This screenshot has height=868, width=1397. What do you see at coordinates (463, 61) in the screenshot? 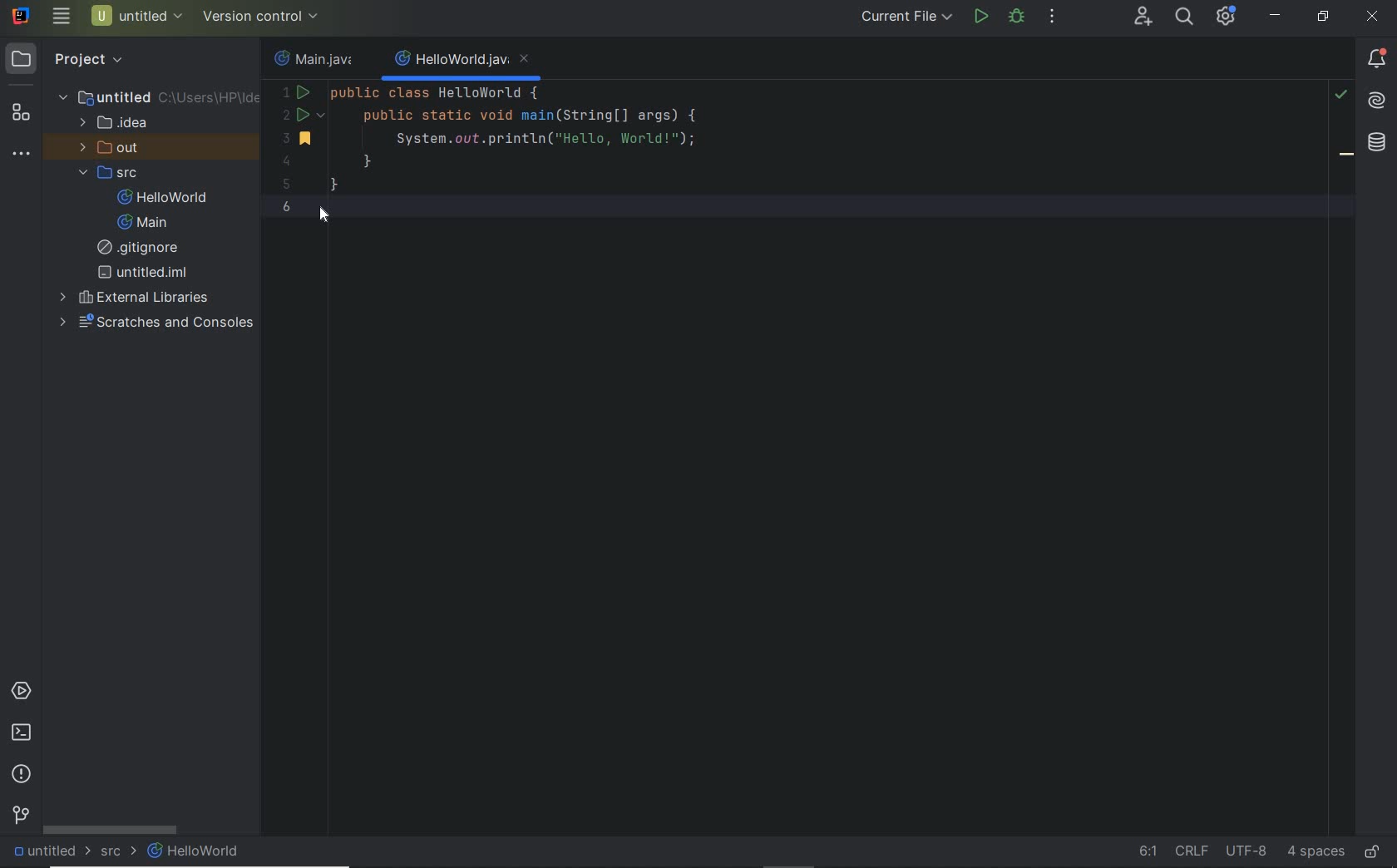
I see `file name` at bounding box center [463, 61].